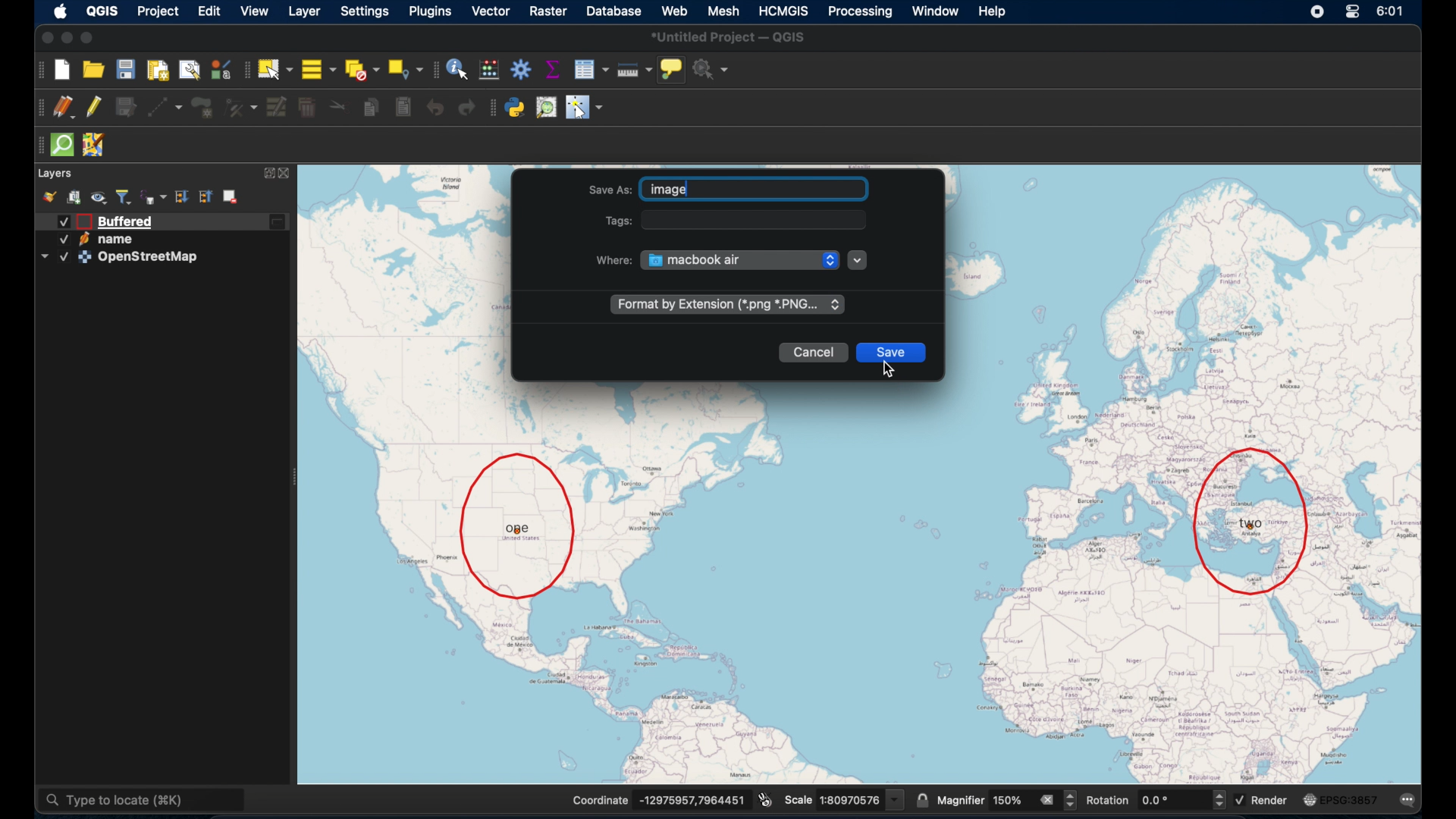 This screenshot has height=819, width=1456. Describe the element at coordinates (121, 240) in the screenshot. I see `name` at that location.